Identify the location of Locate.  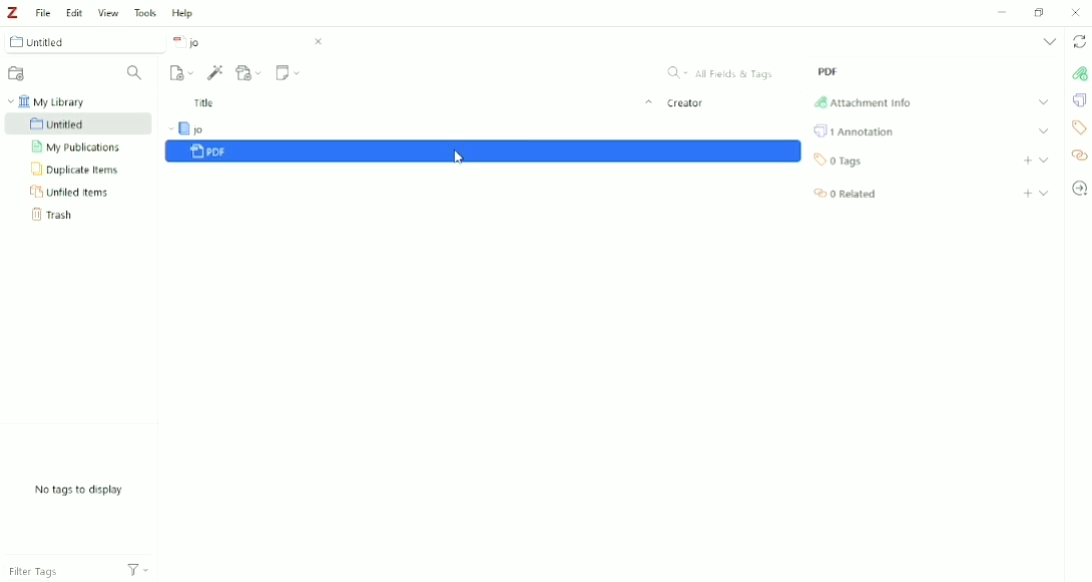
(1080, 188).